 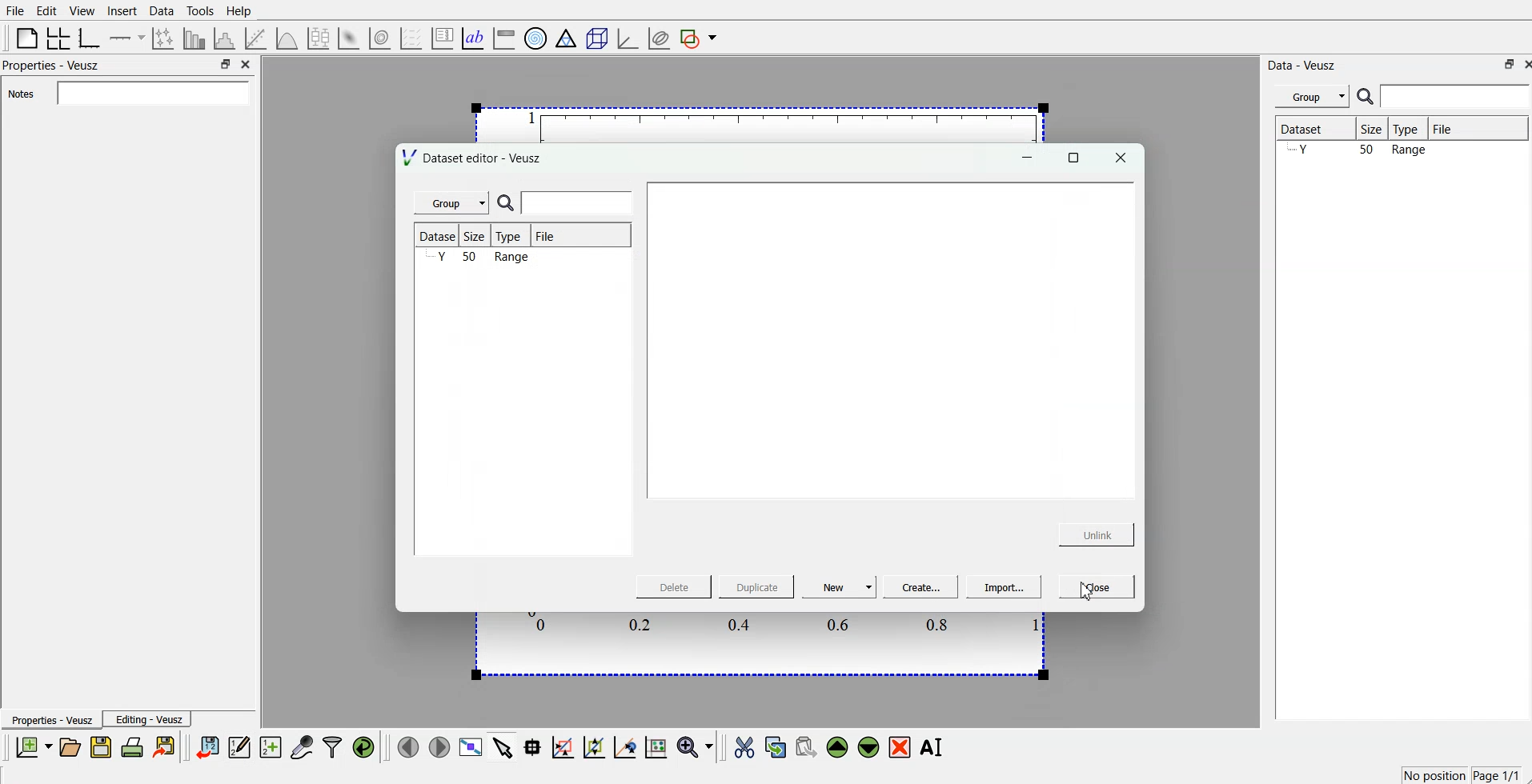 I want to click on Add an axis, so click(x=128, y=37).